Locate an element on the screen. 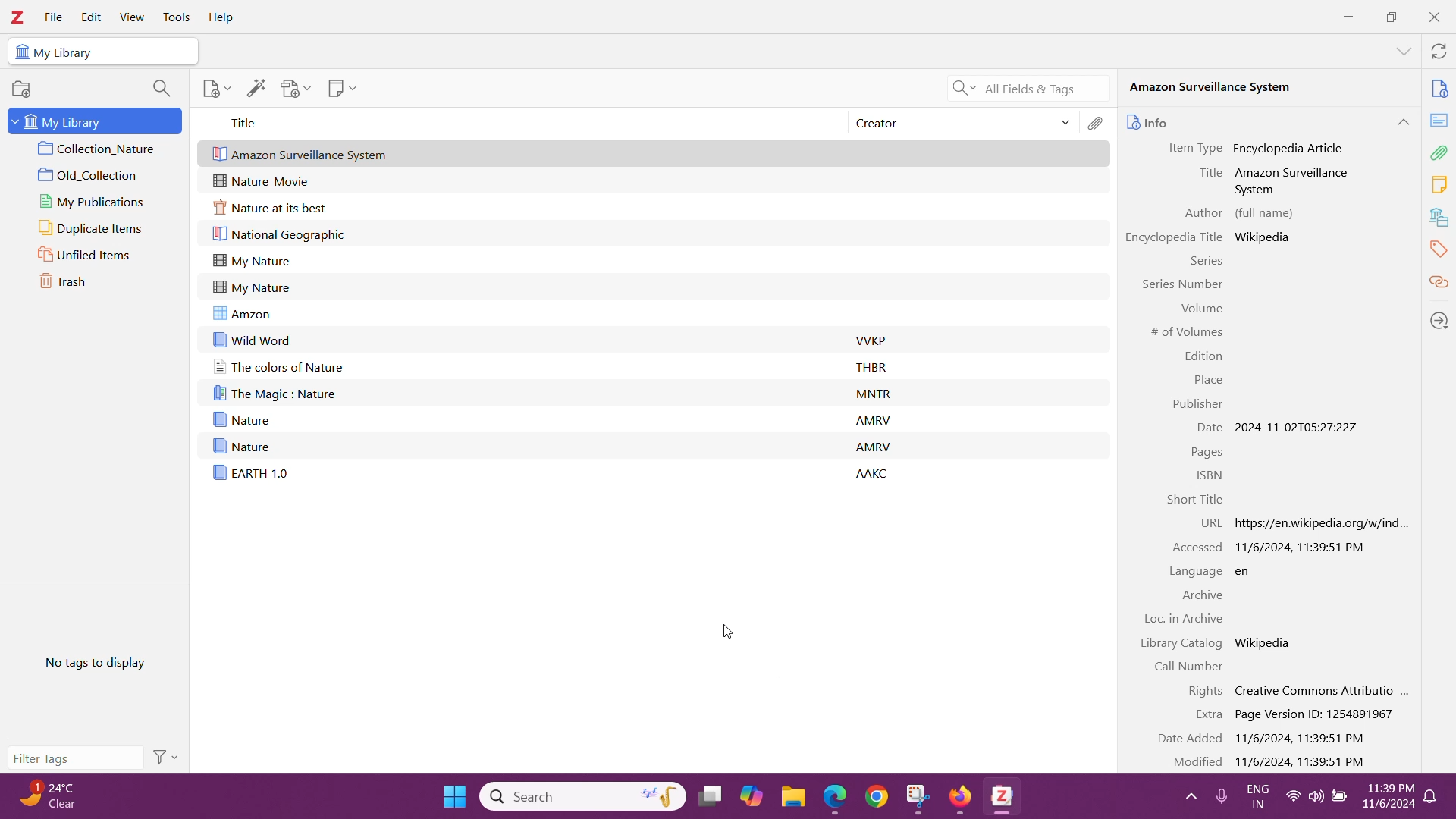  The Magic : Nature is located at coordinates (273, 394).